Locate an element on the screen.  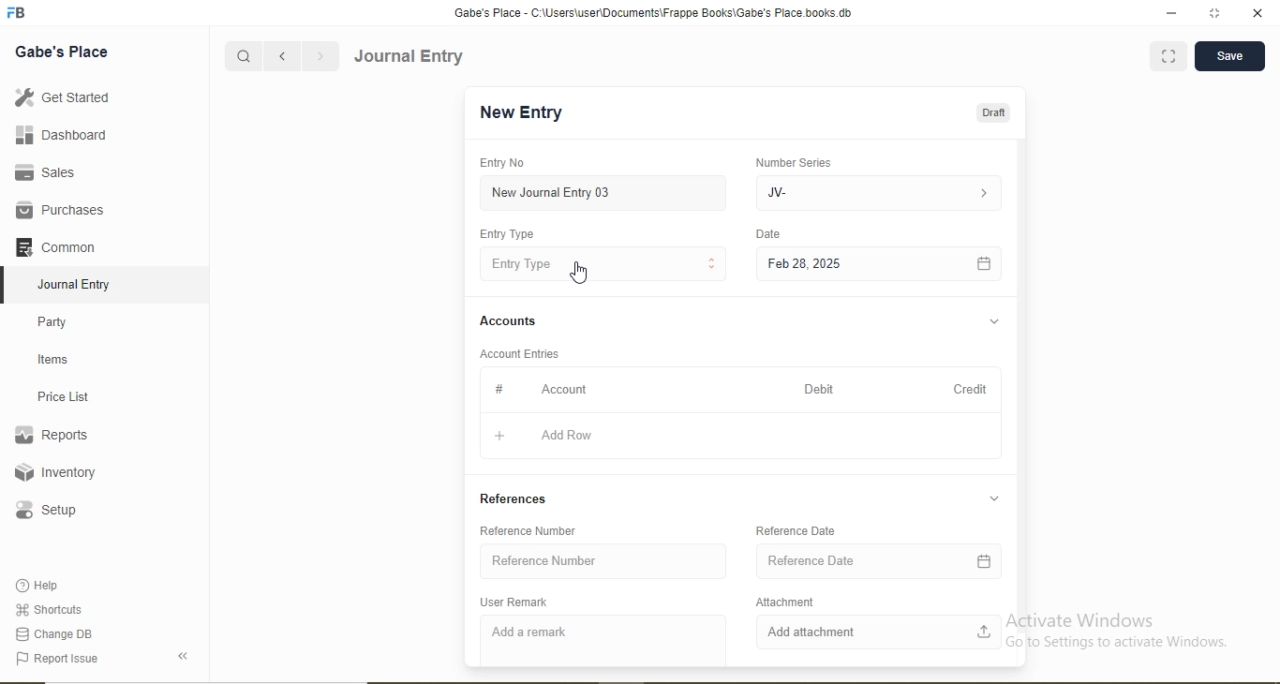
Scroll bar is located at coordinates (1021, 386).